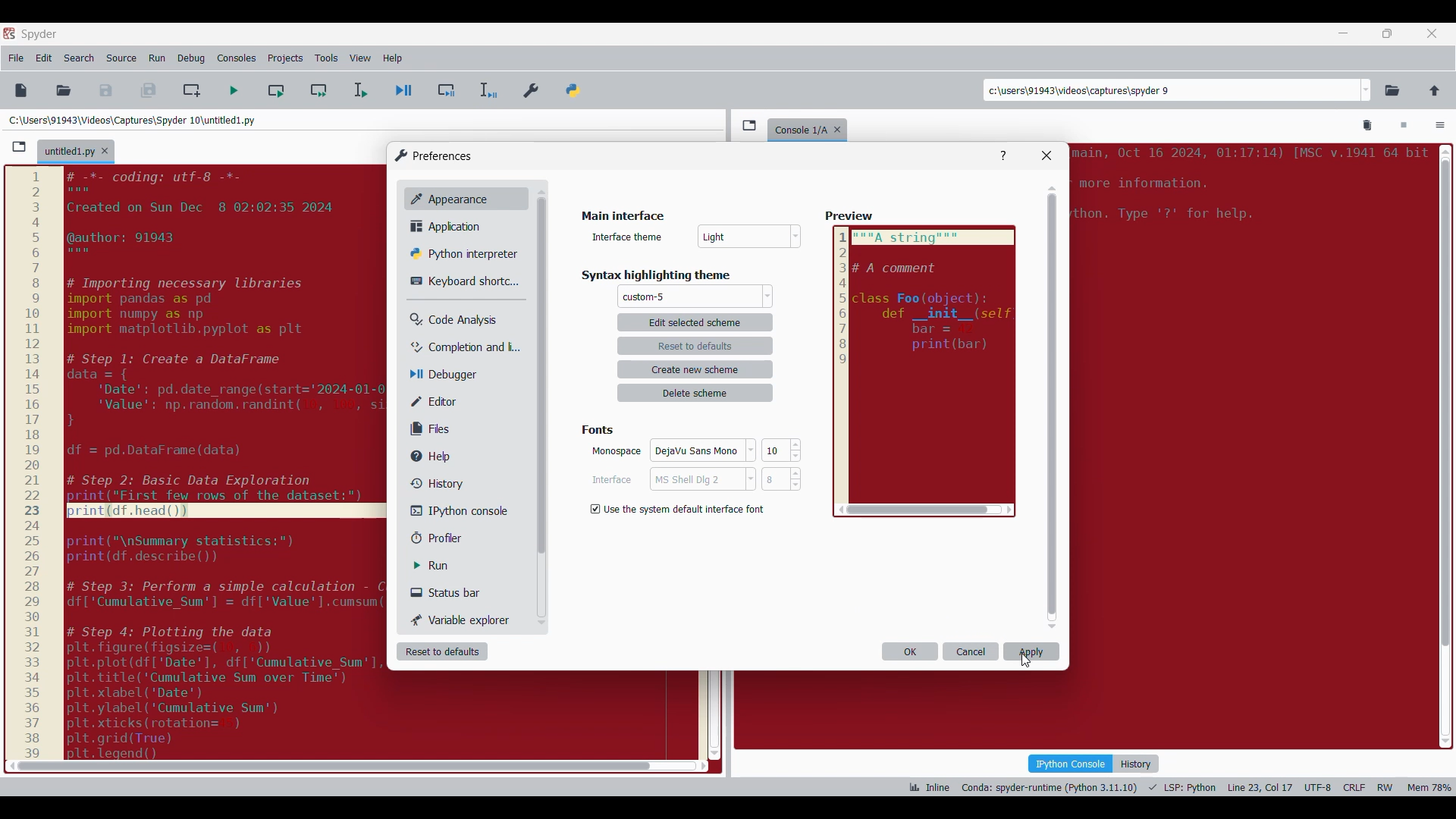 This screenshot has height=819, width=1456. Describe the element at coordinates (276, 90) in the screenshot. I see `Run current cell` at that location.